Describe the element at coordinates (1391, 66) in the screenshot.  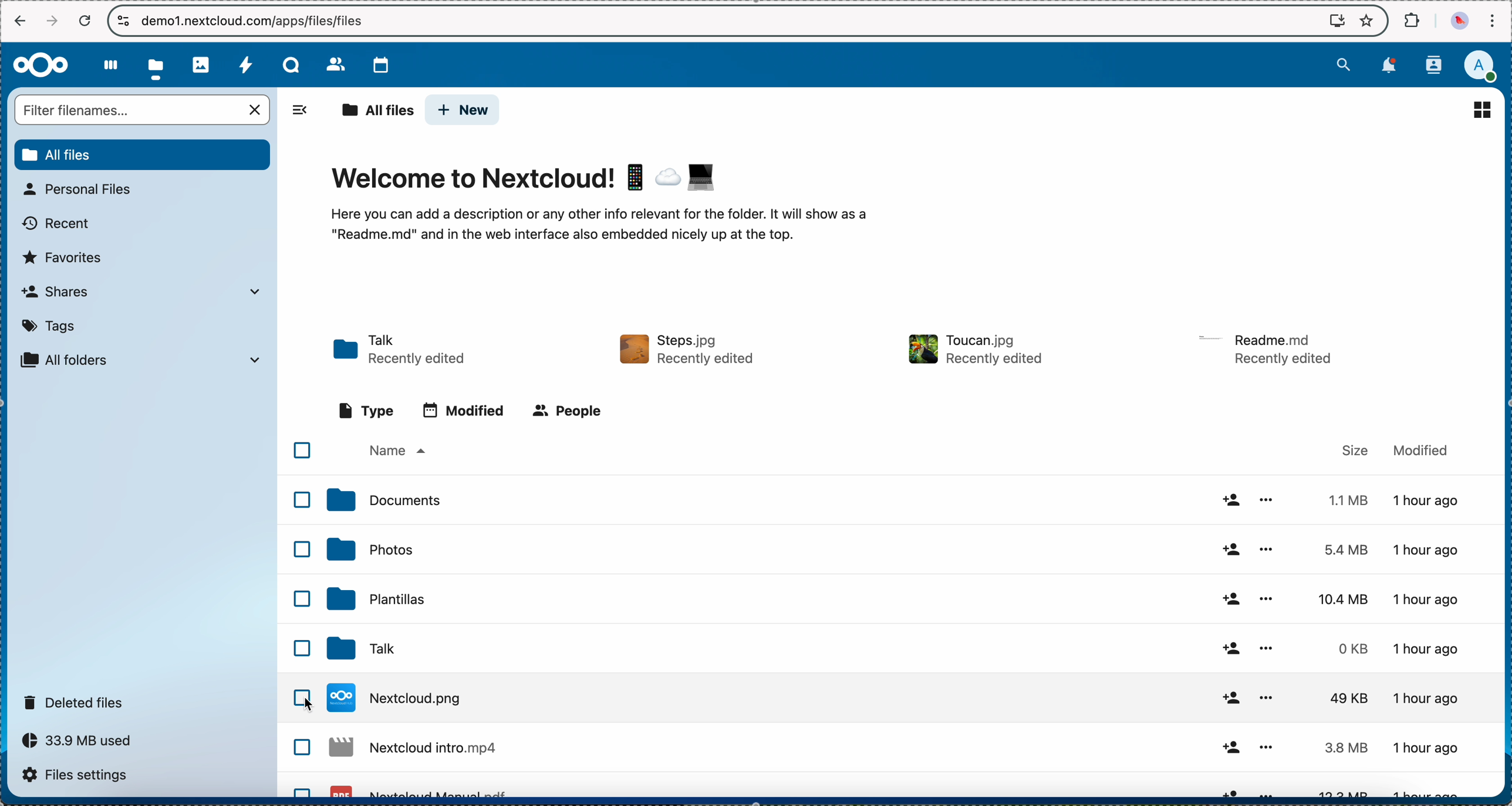
I see `notifications` at that location.